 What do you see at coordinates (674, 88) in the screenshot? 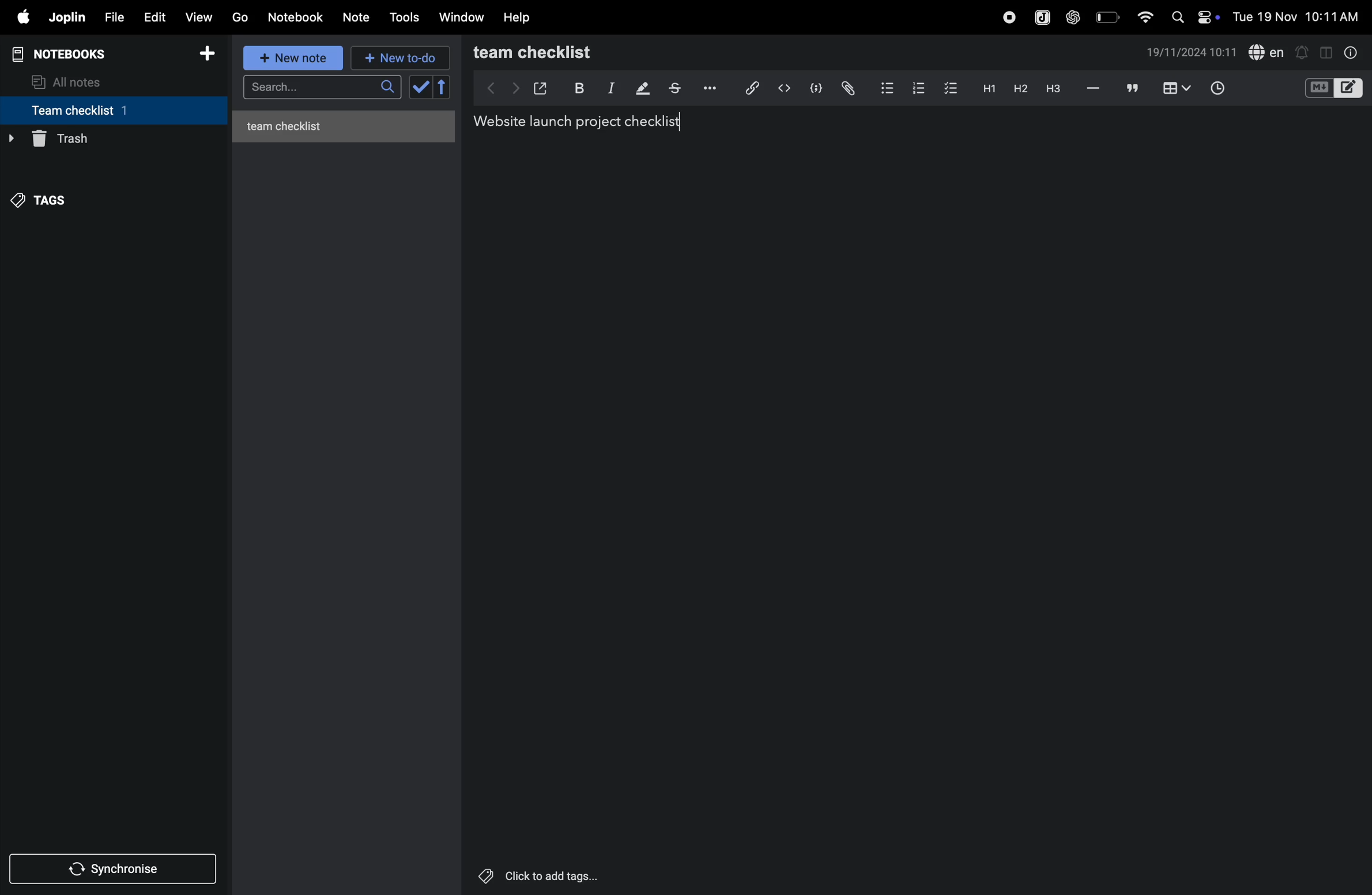
I see `strike through` at bounding box center [674, 88].